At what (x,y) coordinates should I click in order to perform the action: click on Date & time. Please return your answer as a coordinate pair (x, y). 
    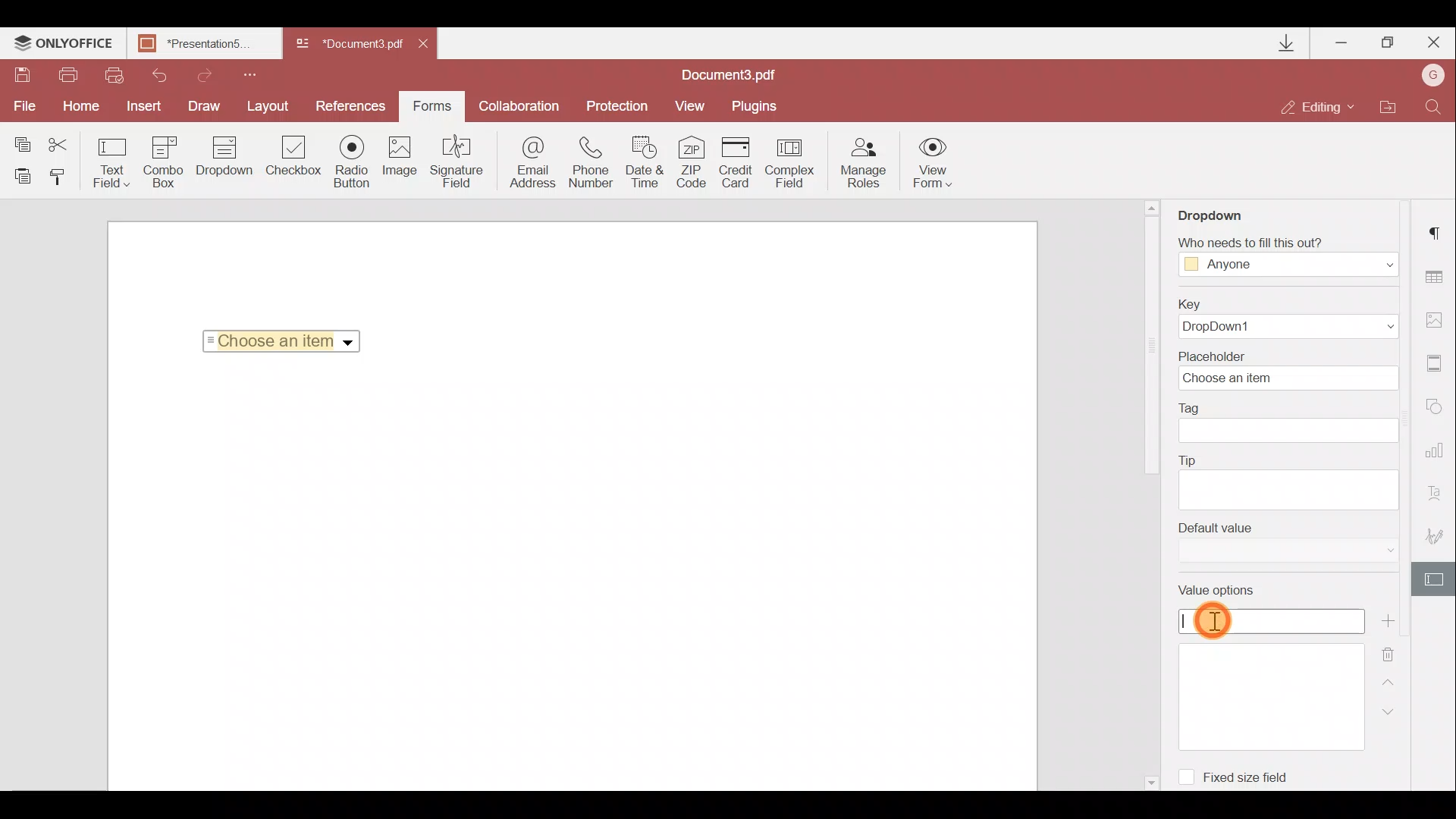
    Looking at the image, I should click on (646, 165).